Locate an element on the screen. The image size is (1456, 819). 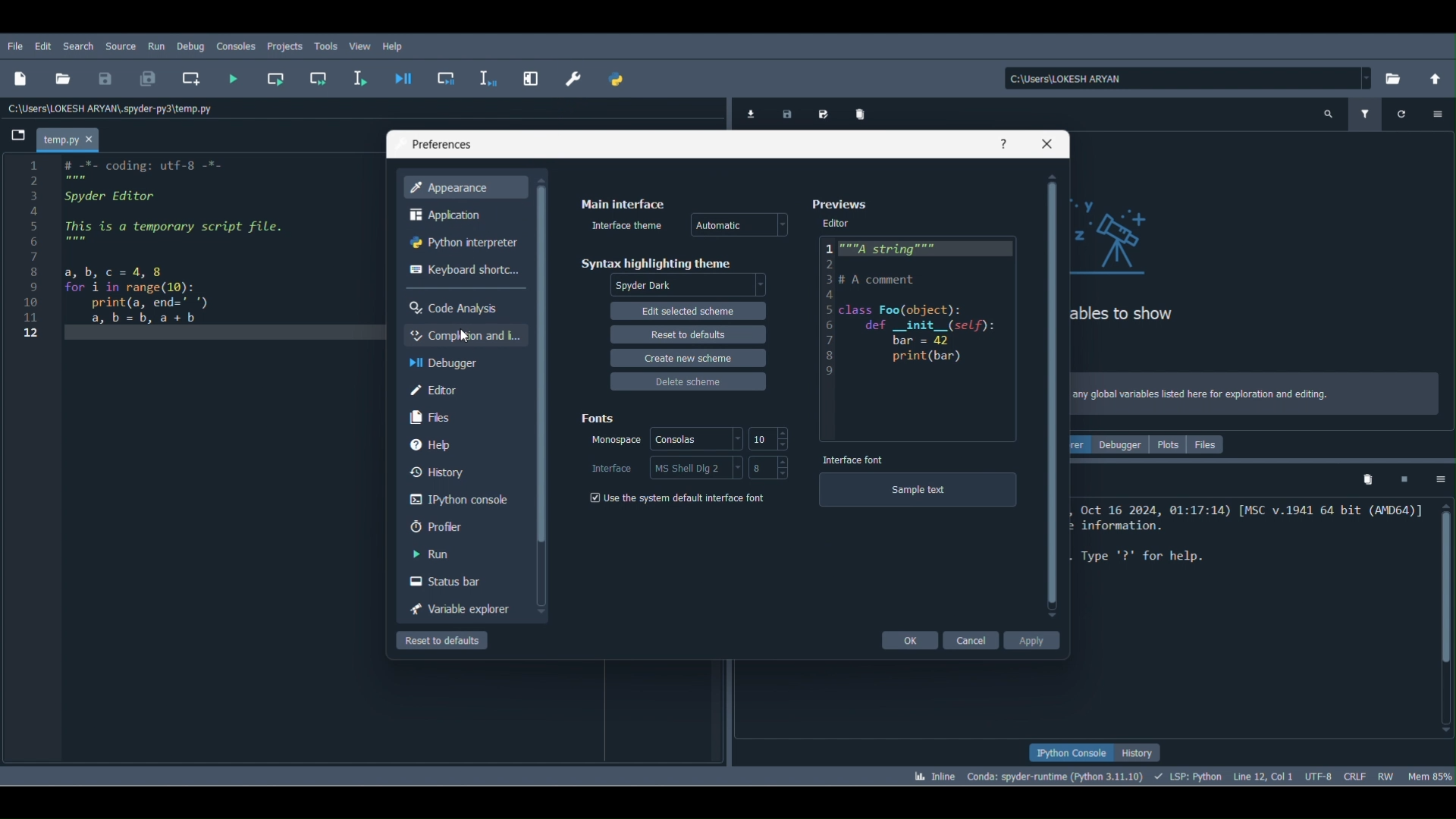
Debugger is located at coordinates (453, 364).